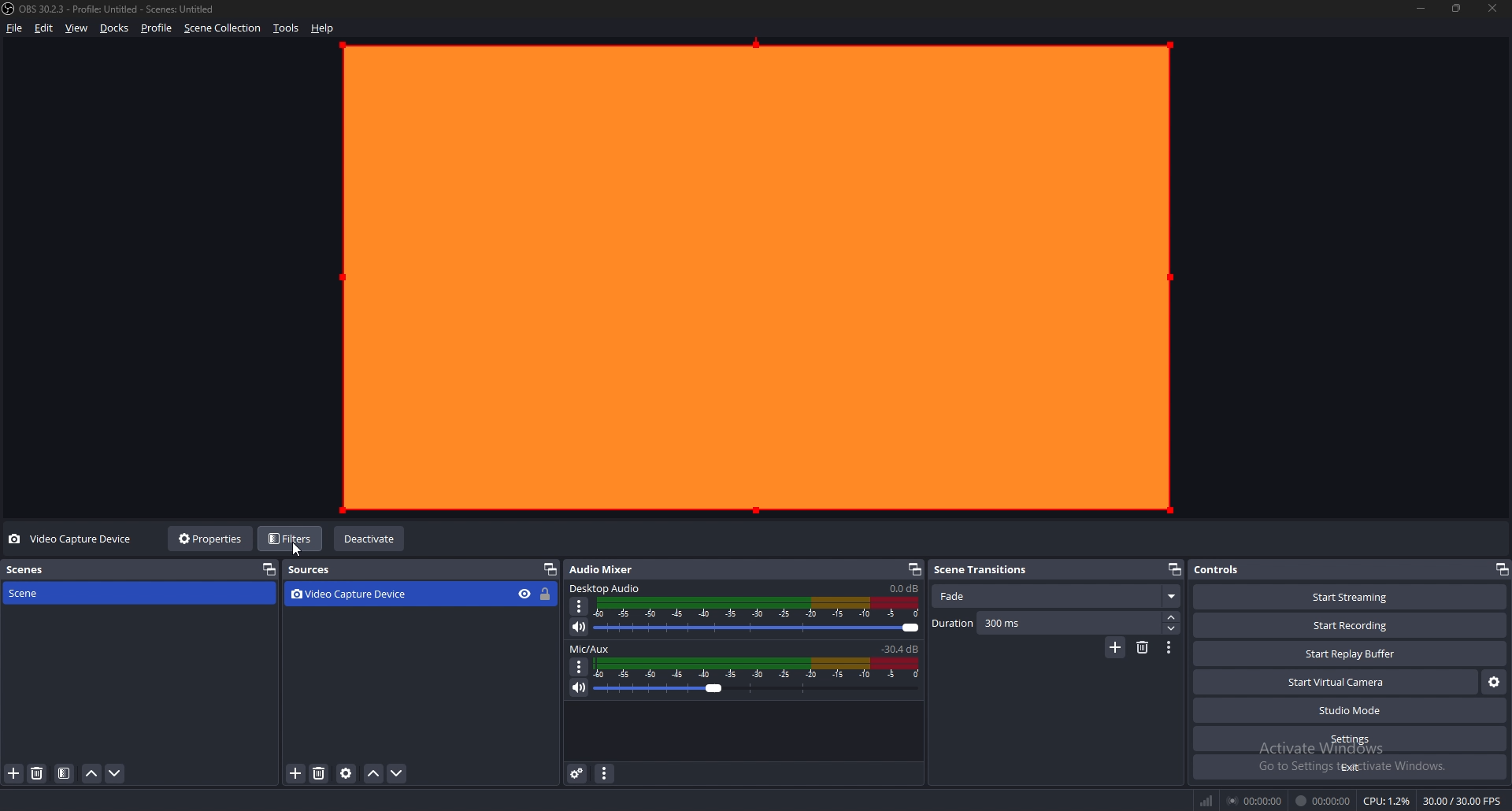 Image resolution: width=1512 pixels, height=811 pixels. What do you see at coordinates (297, 774) in the screenshot?
I see `add source` at bounding box center [297, 774].